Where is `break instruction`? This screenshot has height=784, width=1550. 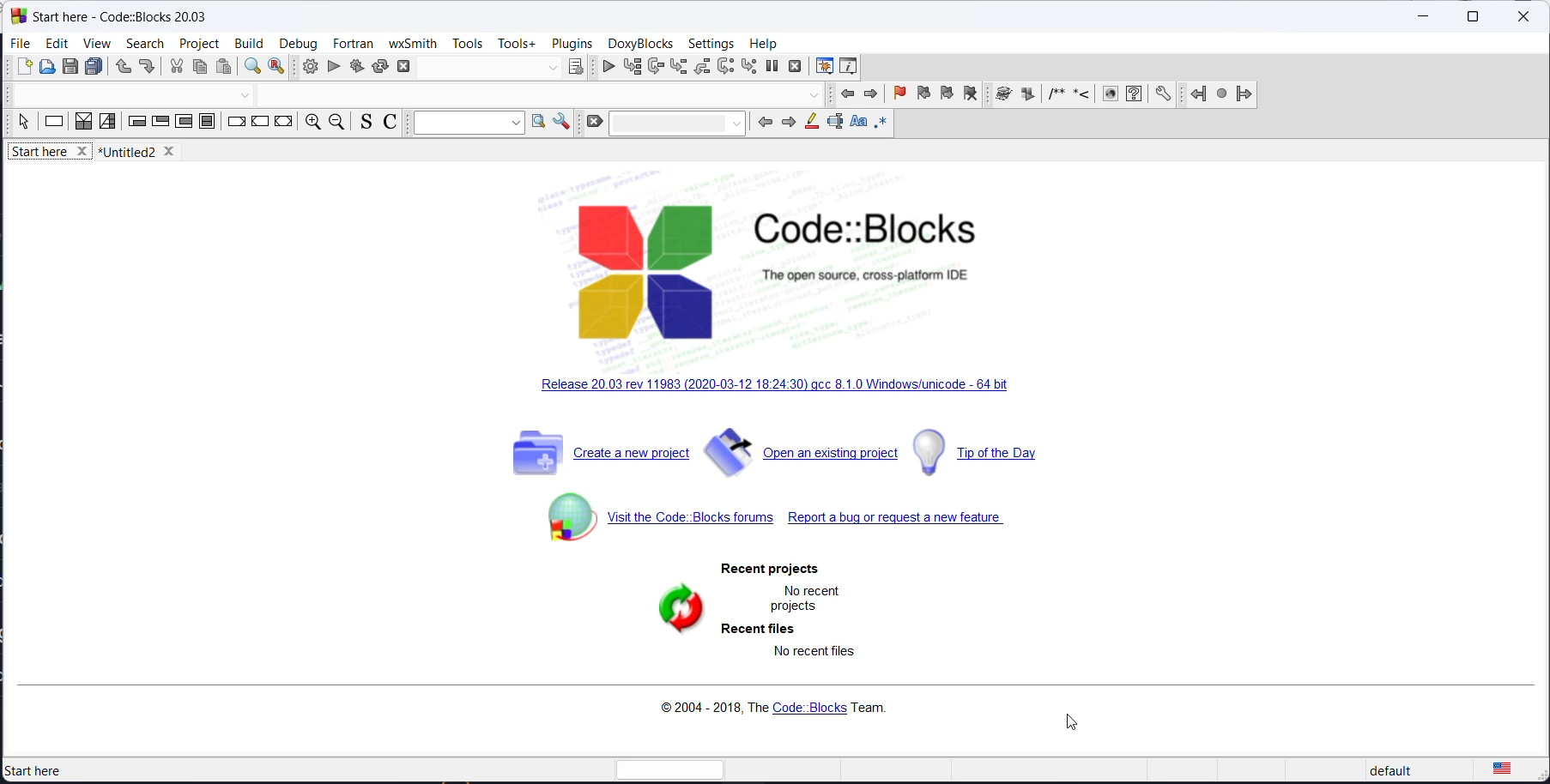 break instruction is located at coordinates (236, 124).